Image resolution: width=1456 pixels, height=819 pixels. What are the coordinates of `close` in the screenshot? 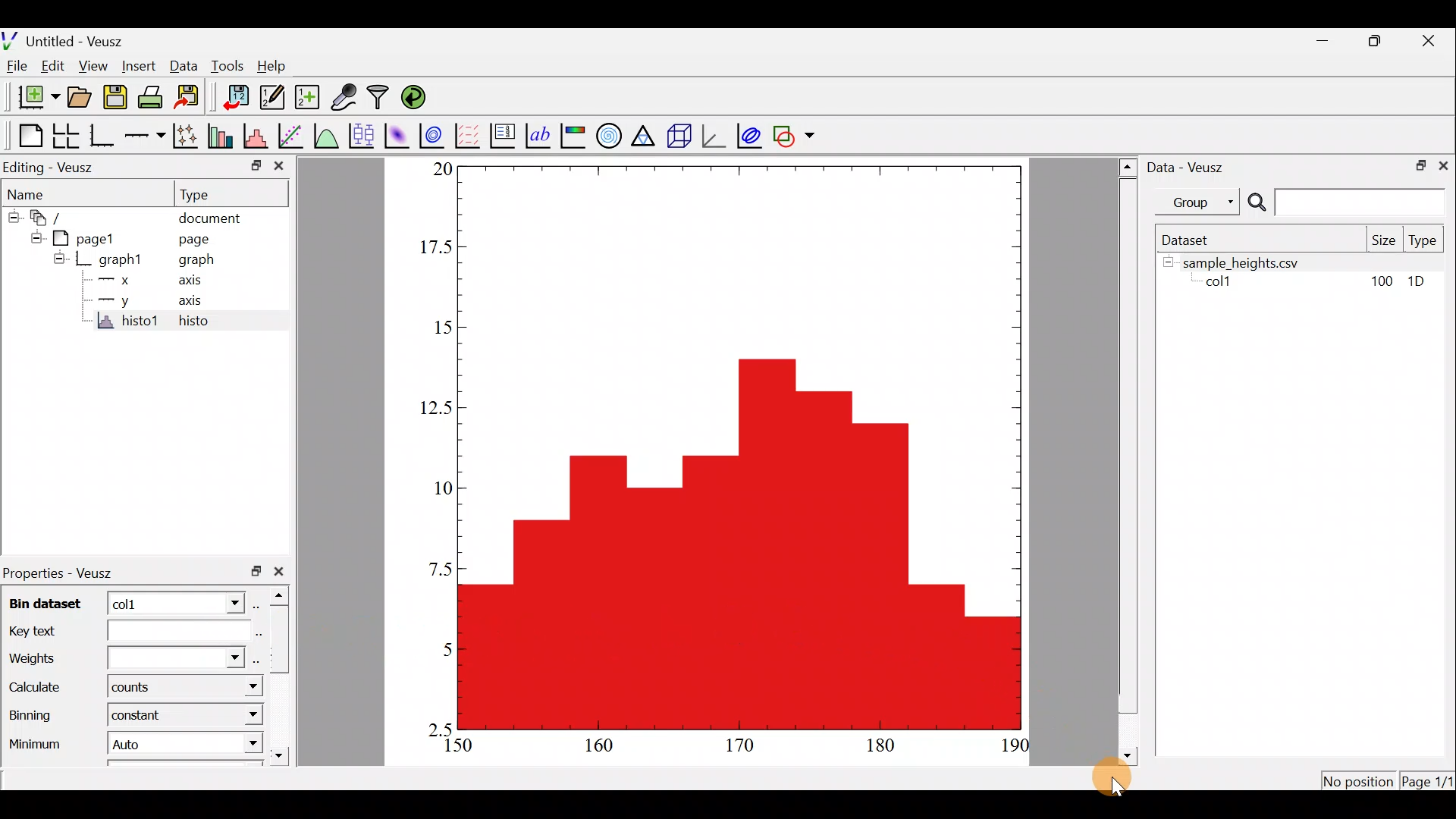 It's located at (281, 166).